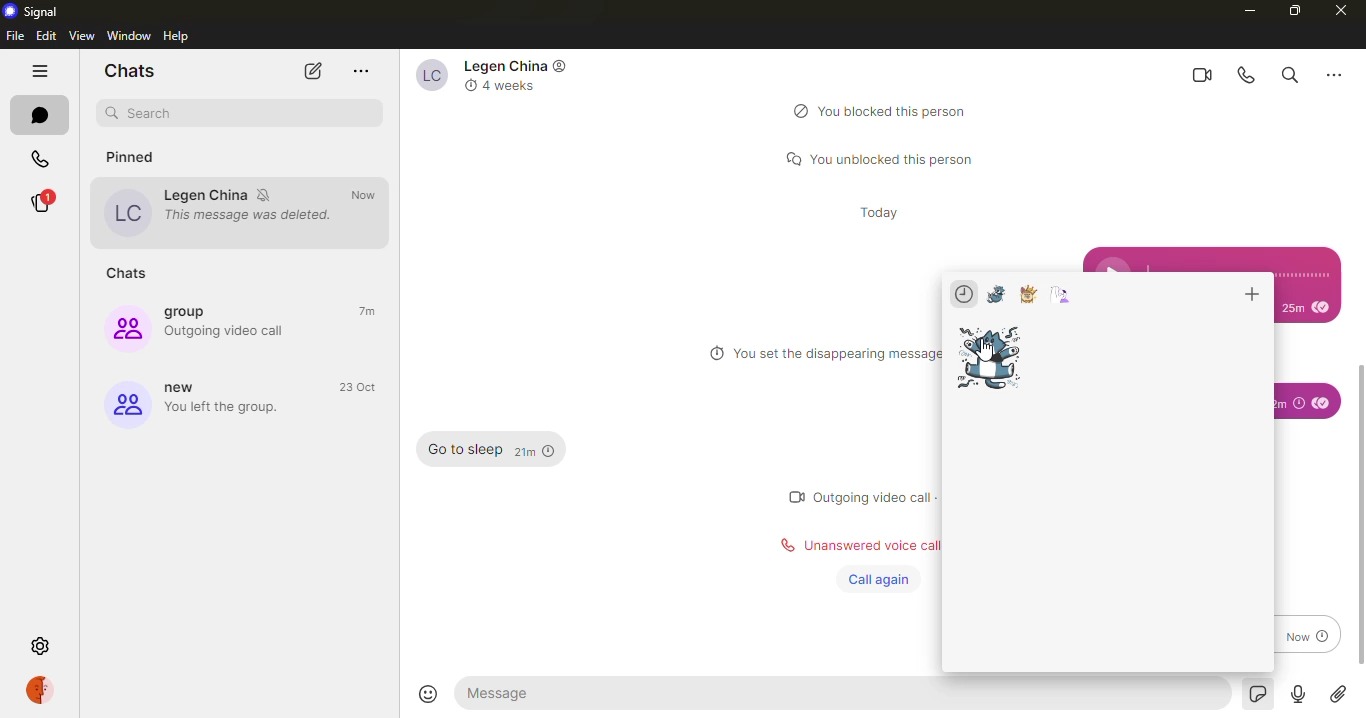 The image size is (1366, 718). Describe the element at coordinates (370, 312) in the screenshot. I see `7m` at that location.